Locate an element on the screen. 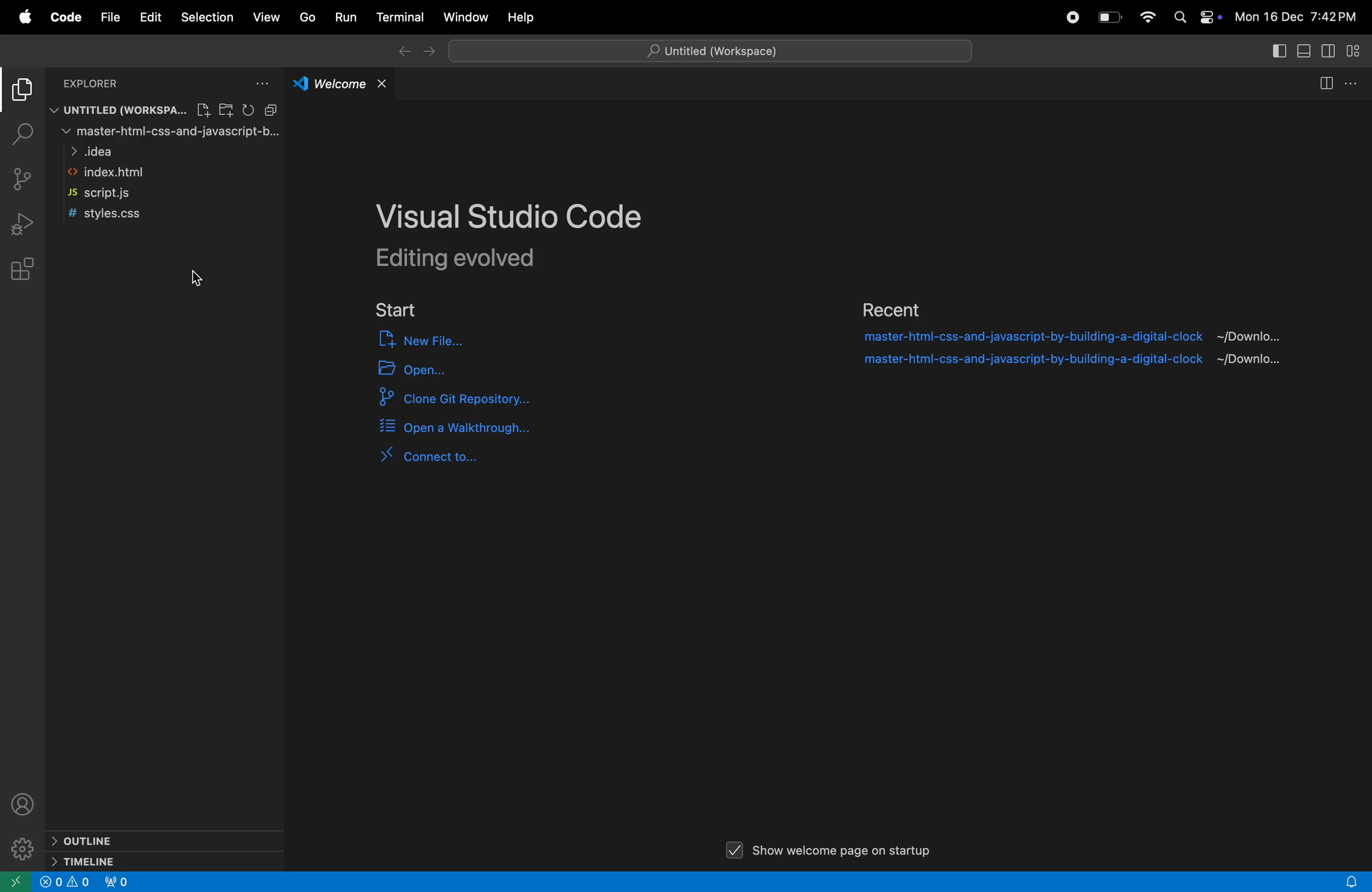 Image resolution: width=1372 pixels, height=892 pixels. > TIMELINE is located at coordinates (90, 861).